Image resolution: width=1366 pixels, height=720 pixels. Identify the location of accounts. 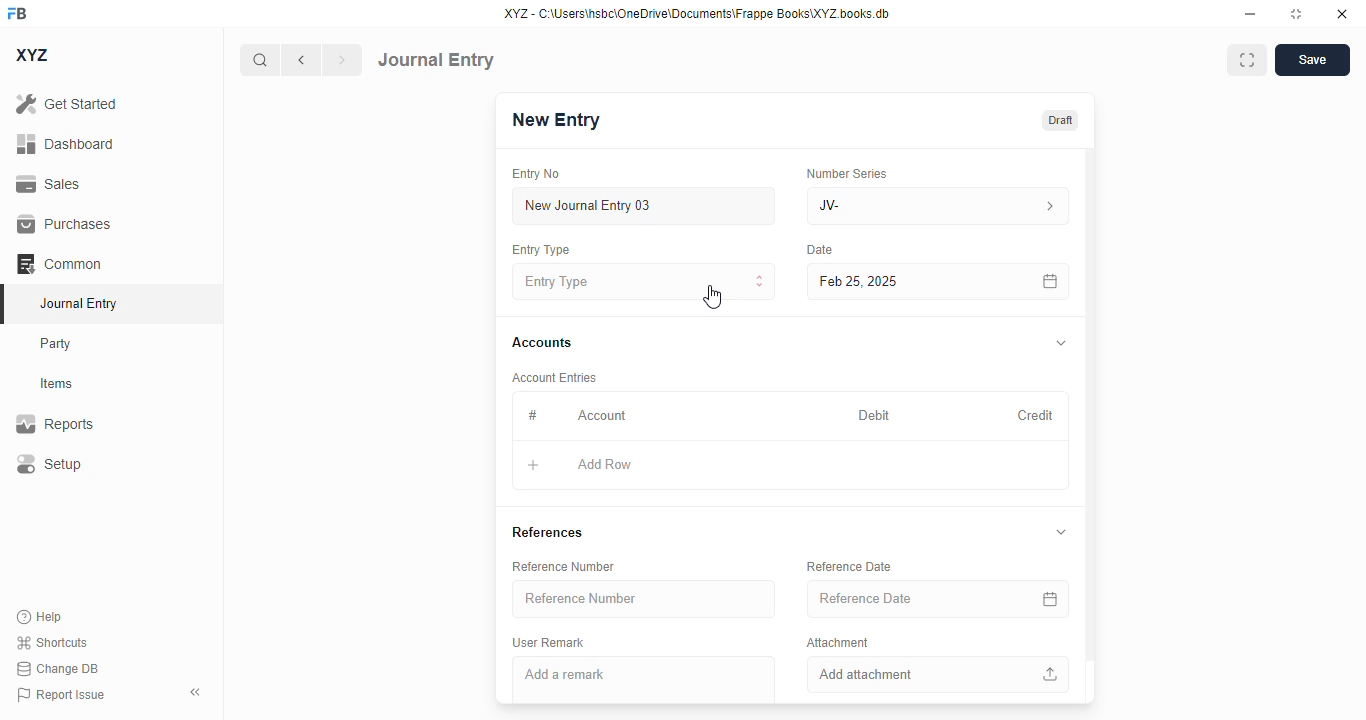
(542, 343).